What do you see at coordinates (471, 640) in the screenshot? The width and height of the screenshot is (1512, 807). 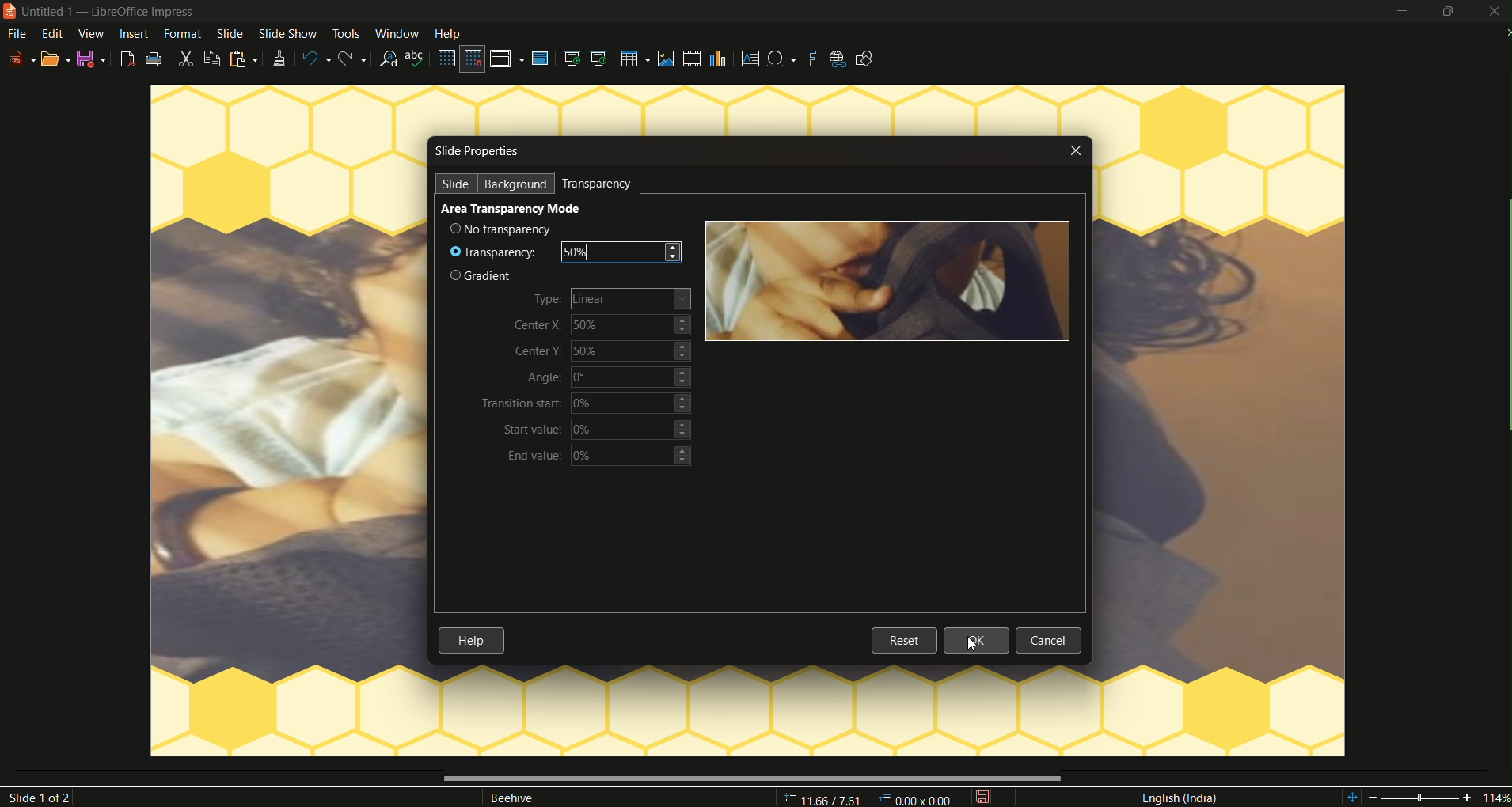 I see `help` at bounding box center [471, 640].